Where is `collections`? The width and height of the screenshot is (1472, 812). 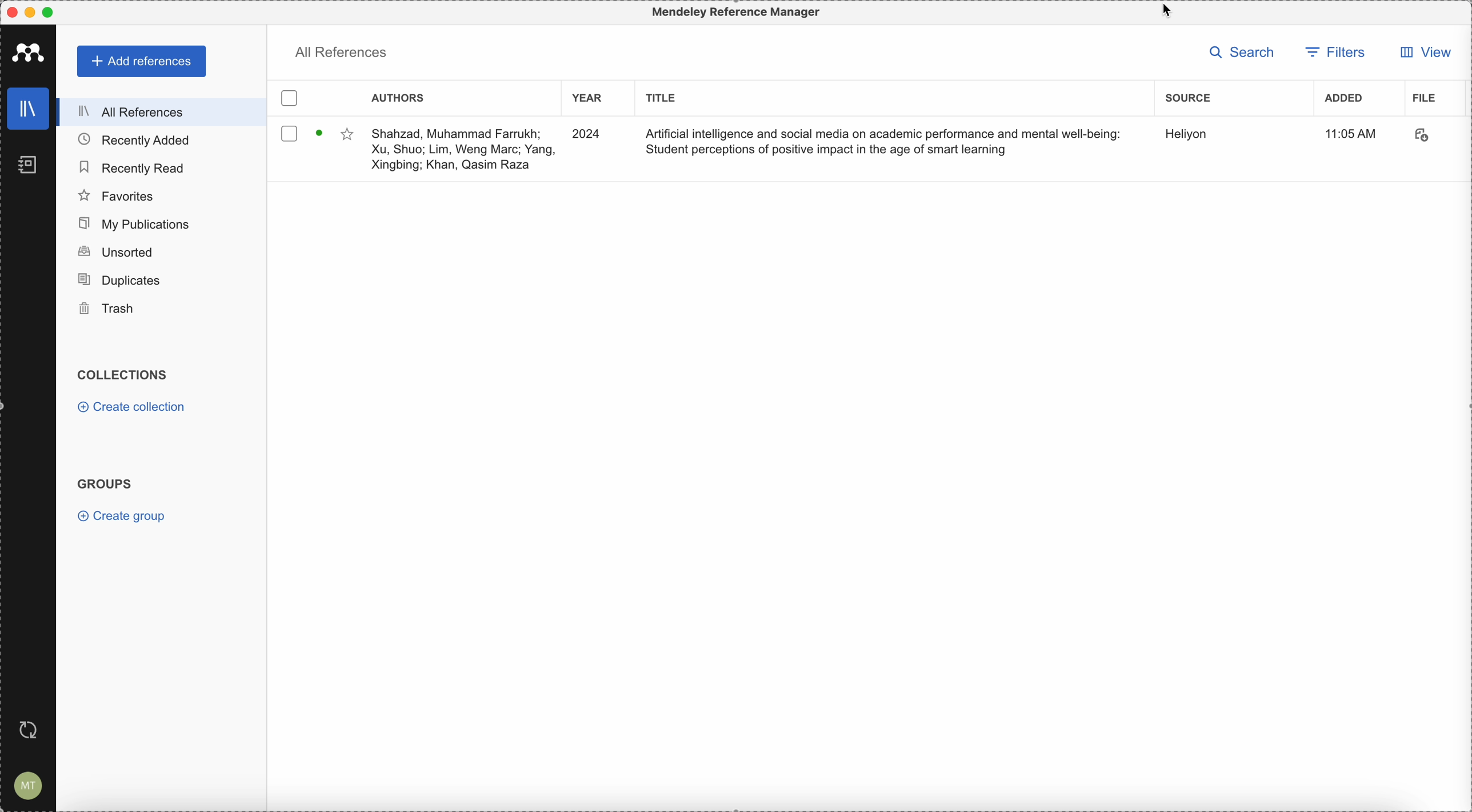
collections is located at coordinates (122, 374).